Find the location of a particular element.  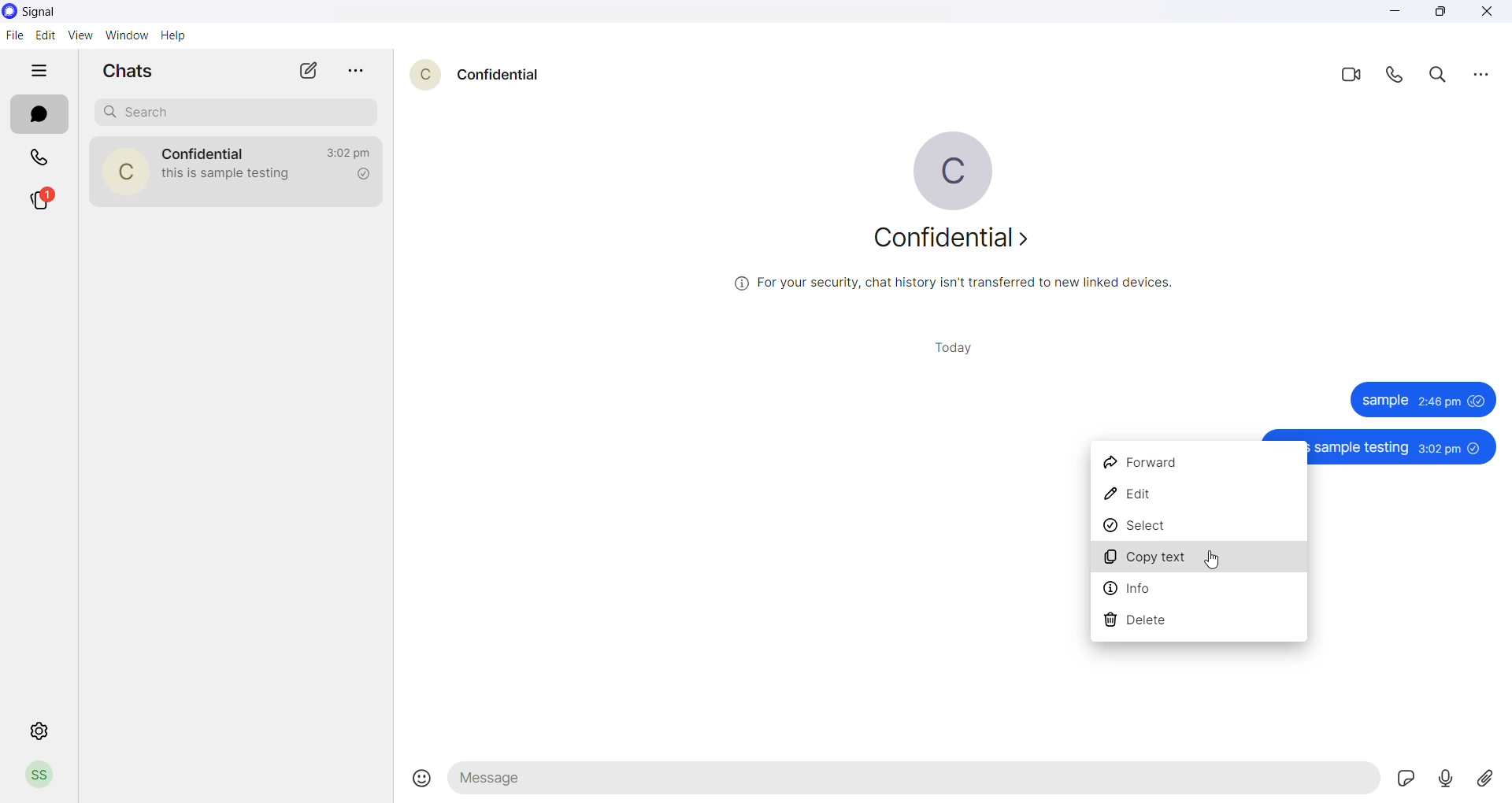

profile picture is located at coordinates (124, 170).